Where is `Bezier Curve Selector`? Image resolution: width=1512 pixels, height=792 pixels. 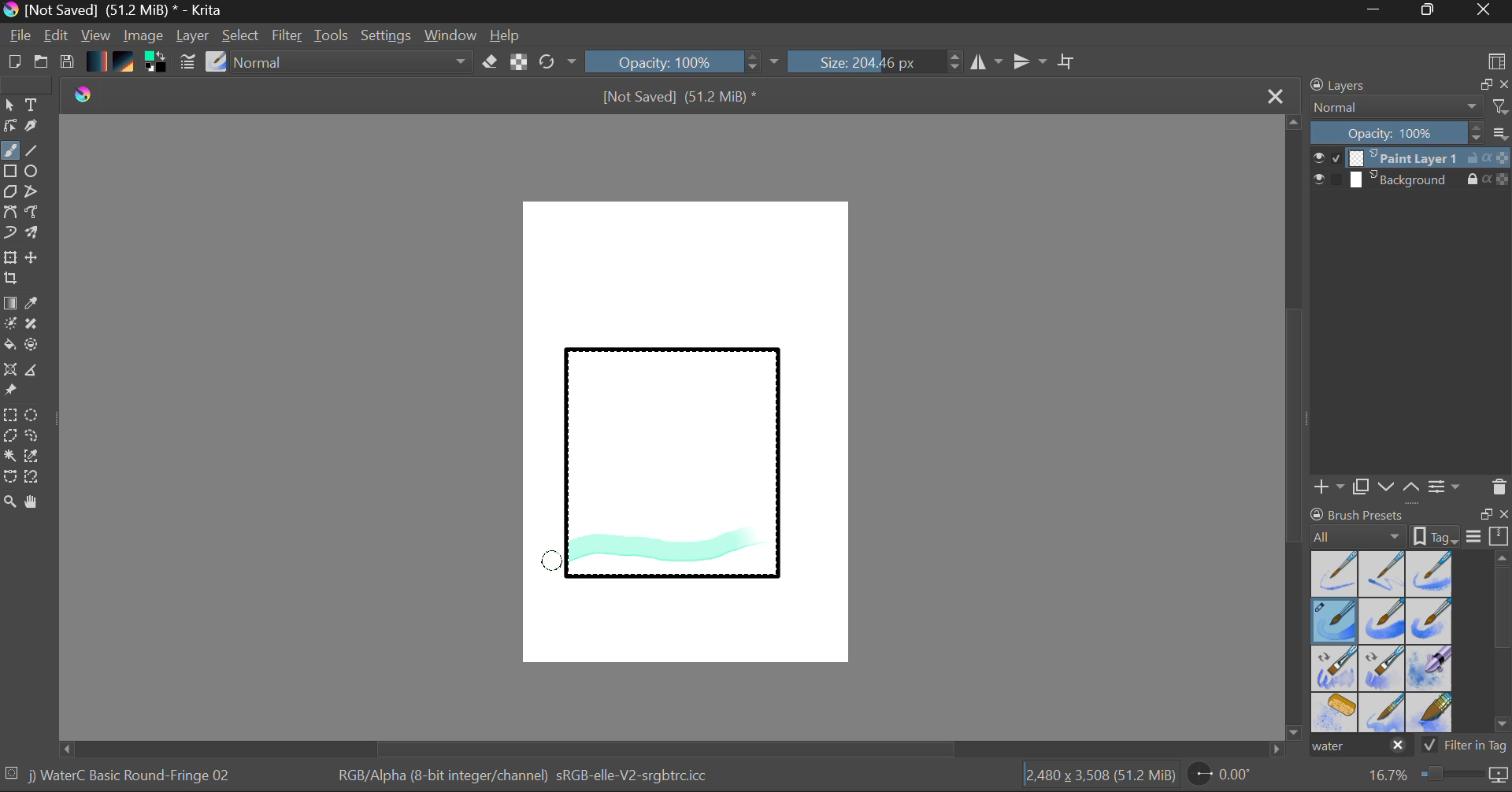 Bezier Curve Selector is located at coordinates (9, 478).